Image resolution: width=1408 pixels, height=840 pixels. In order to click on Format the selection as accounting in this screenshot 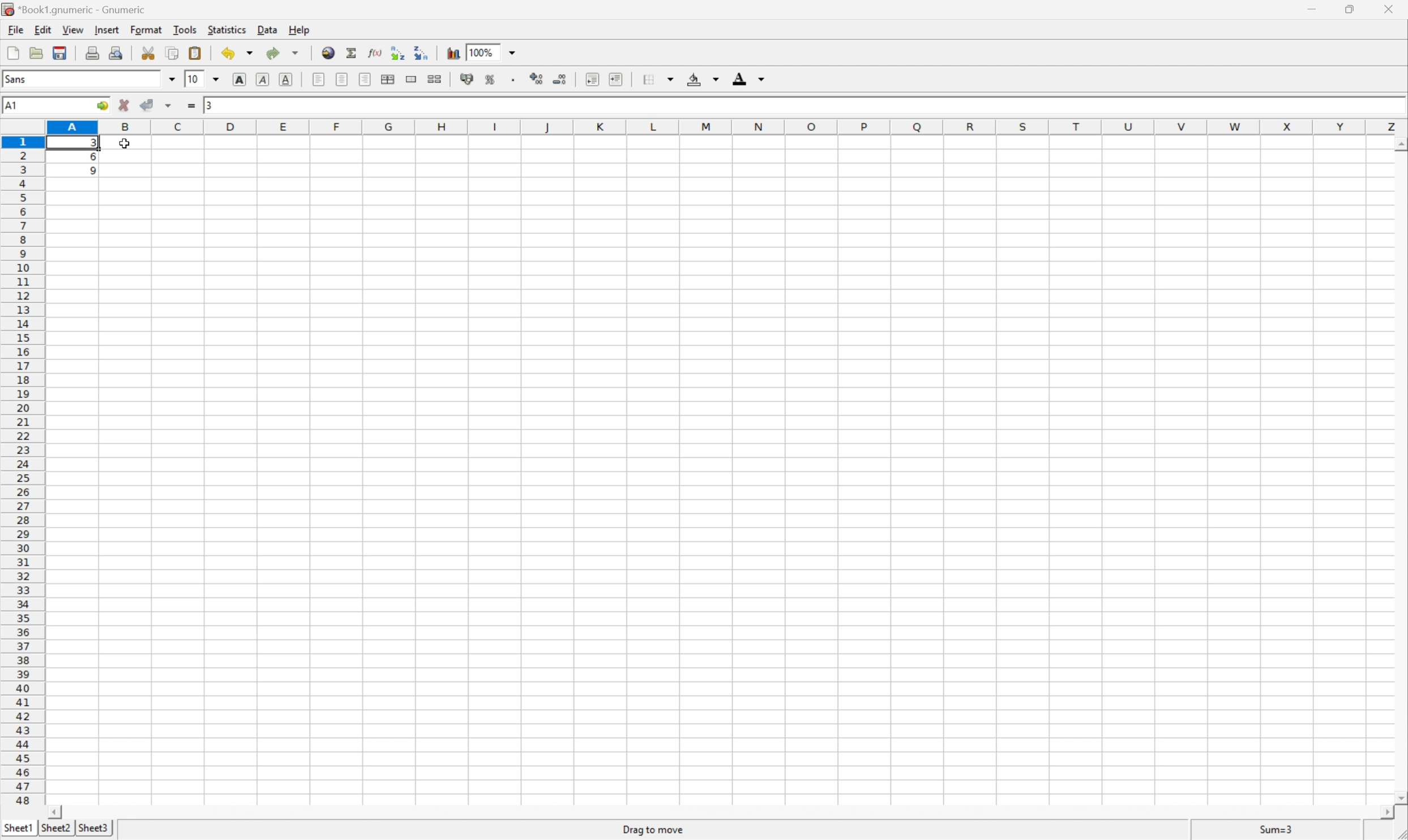, I will do `click(467, 78)`.